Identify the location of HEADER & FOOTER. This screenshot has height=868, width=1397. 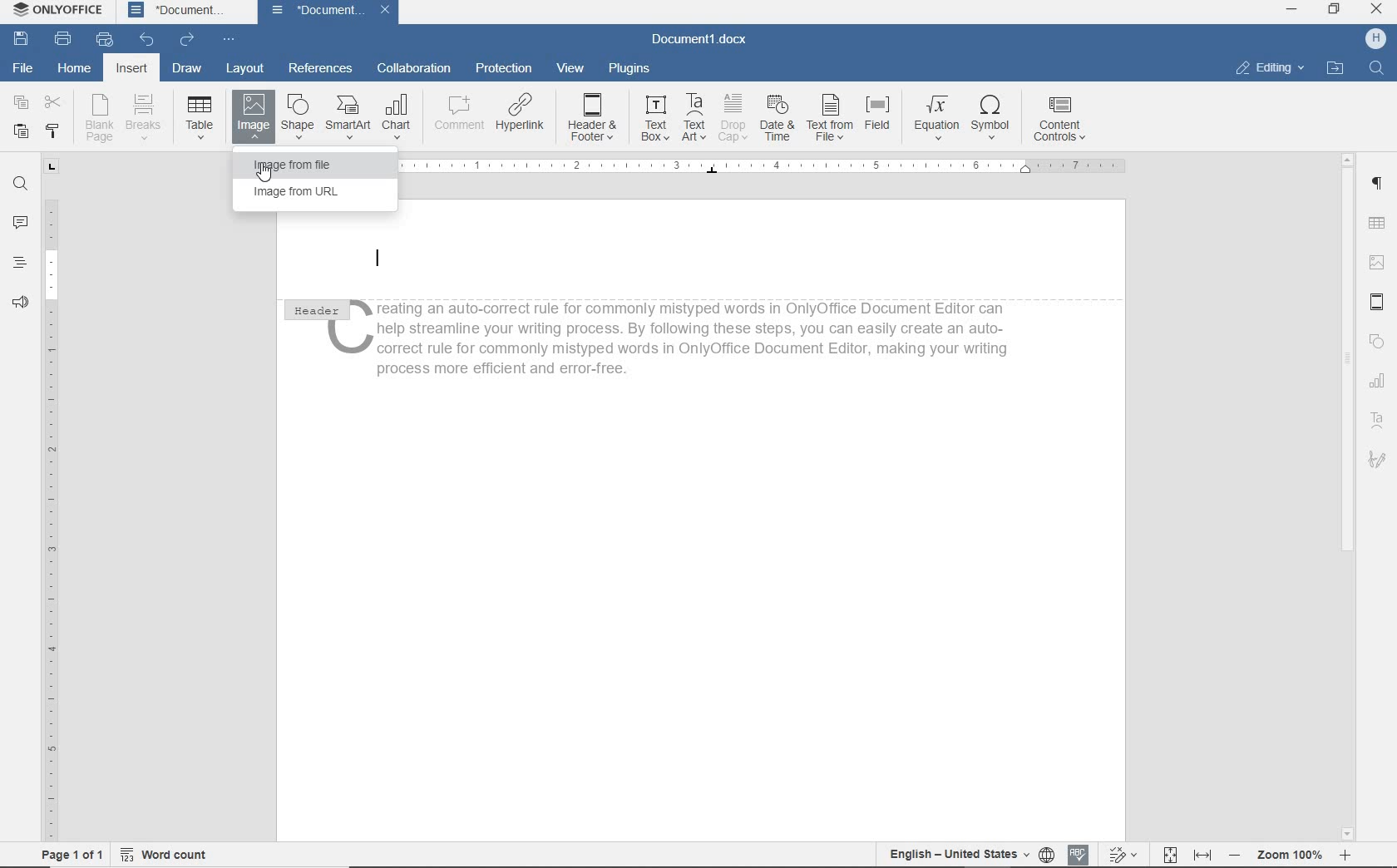
(1377, 303).